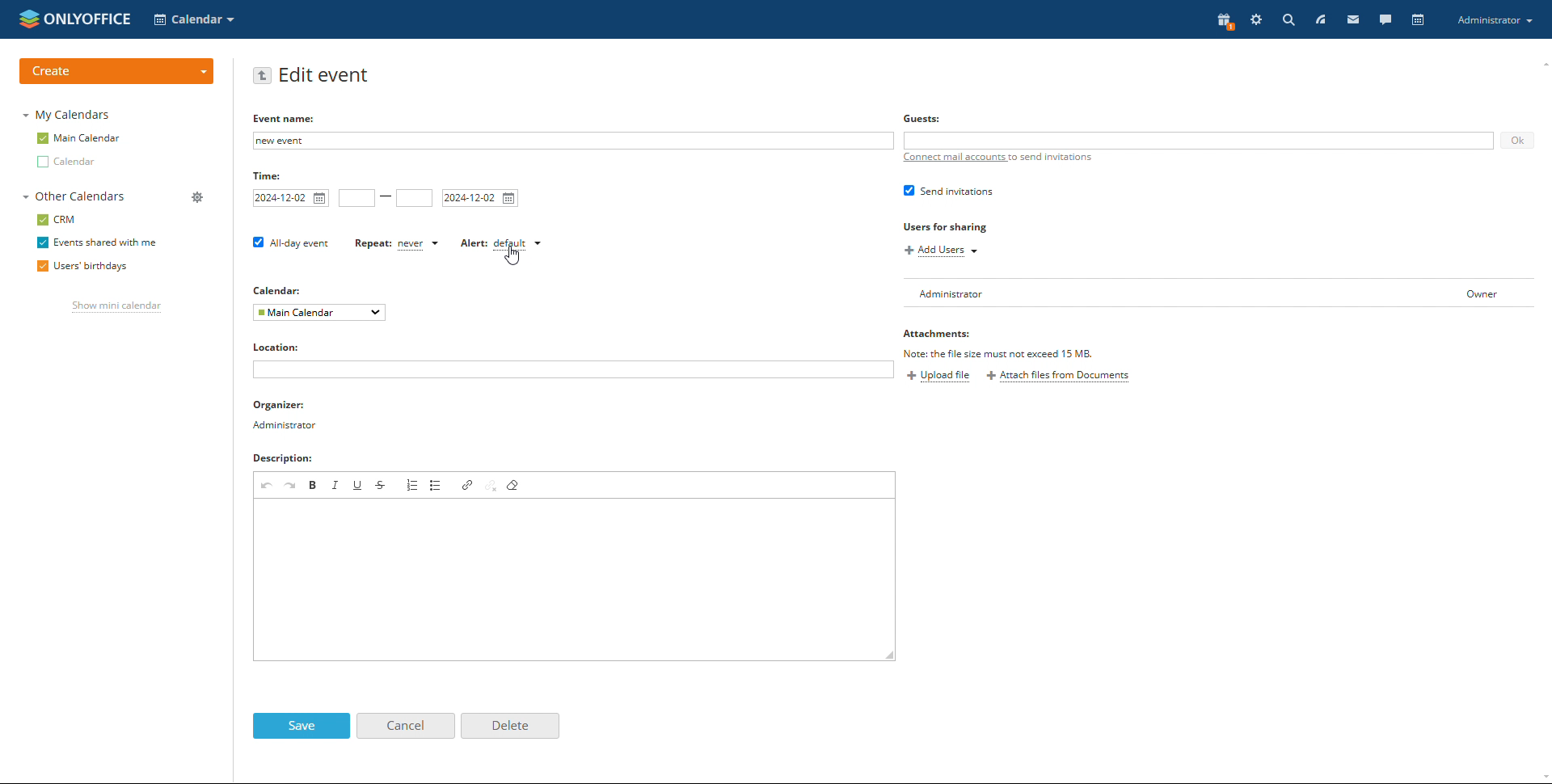 The image size is (1552, 784). What do you see at coordinates (1419, 19) in the screenshot?
I see `calendar` at bounding box center [1419, 19].